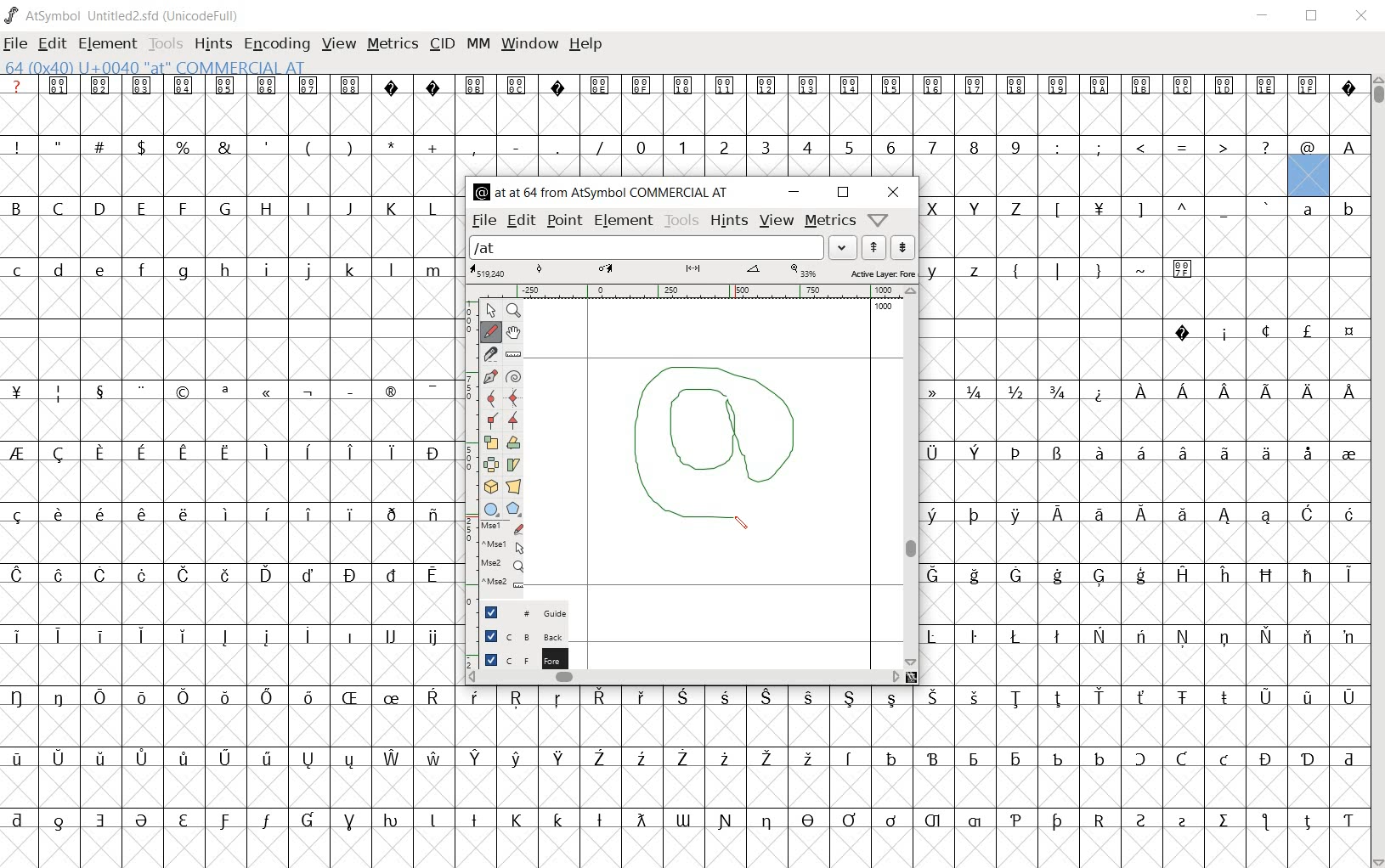 The image size is (1385, 868). What do you see at coordinates (165, 45) in the screenshot?
I see `TOOLS` at bounding box center [165, 45].